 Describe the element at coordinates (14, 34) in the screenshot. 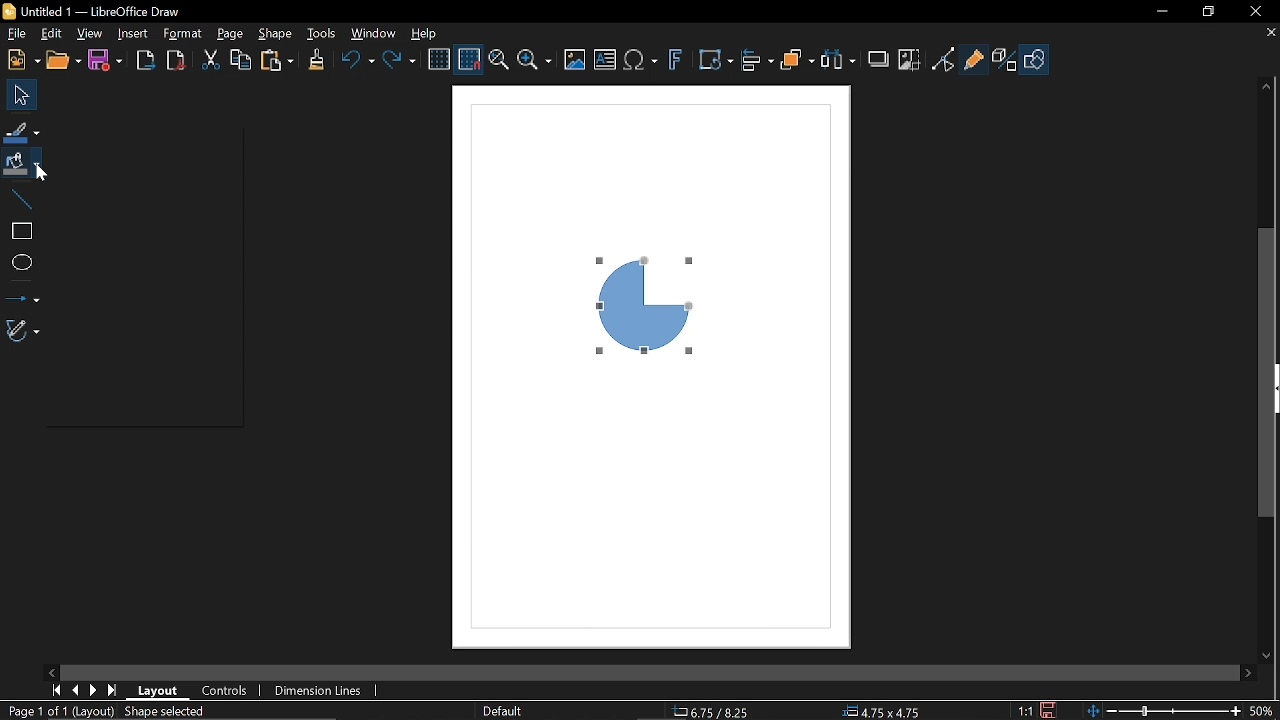

I see `File` at that location.